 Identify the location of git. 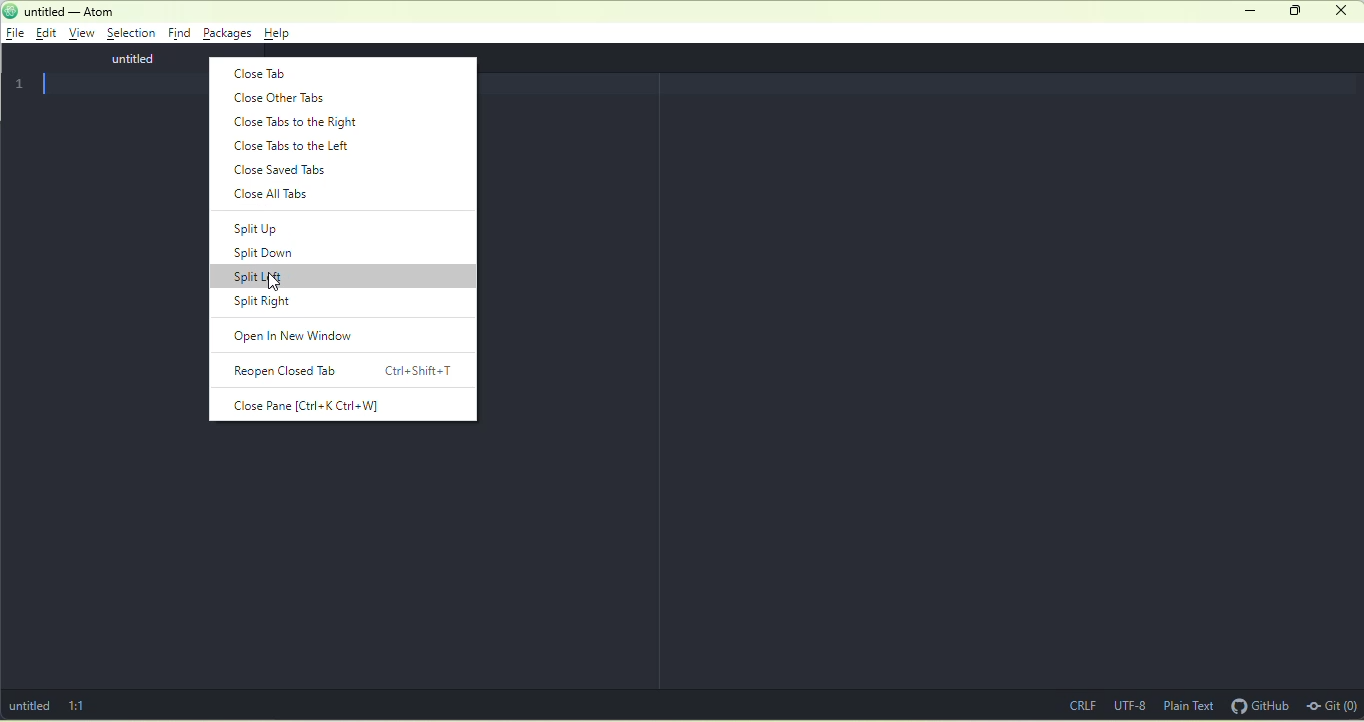
(1332, 704).